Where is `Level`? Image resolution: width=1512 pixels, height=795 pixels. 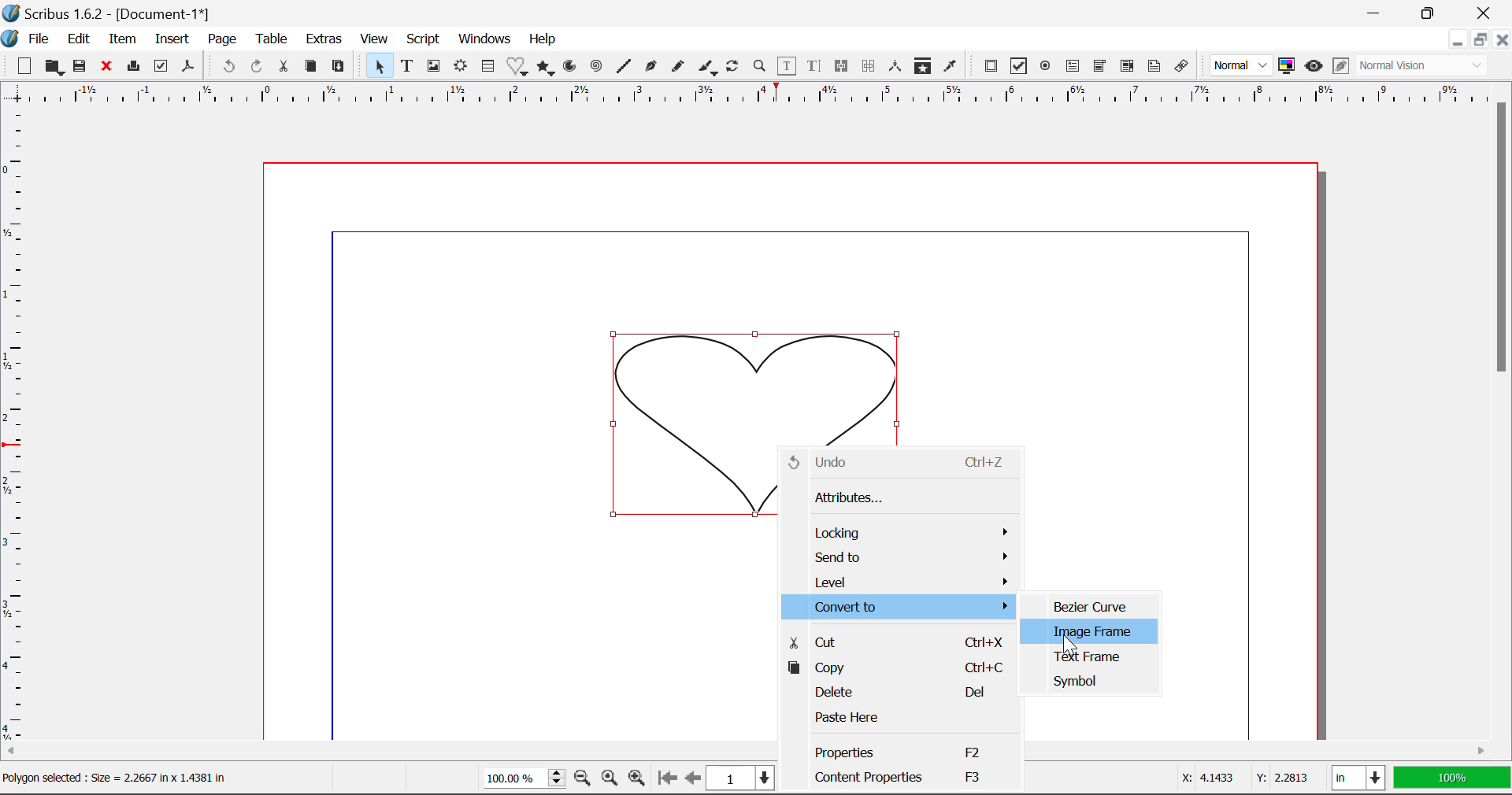
Level is located at coordinates (902, 581).